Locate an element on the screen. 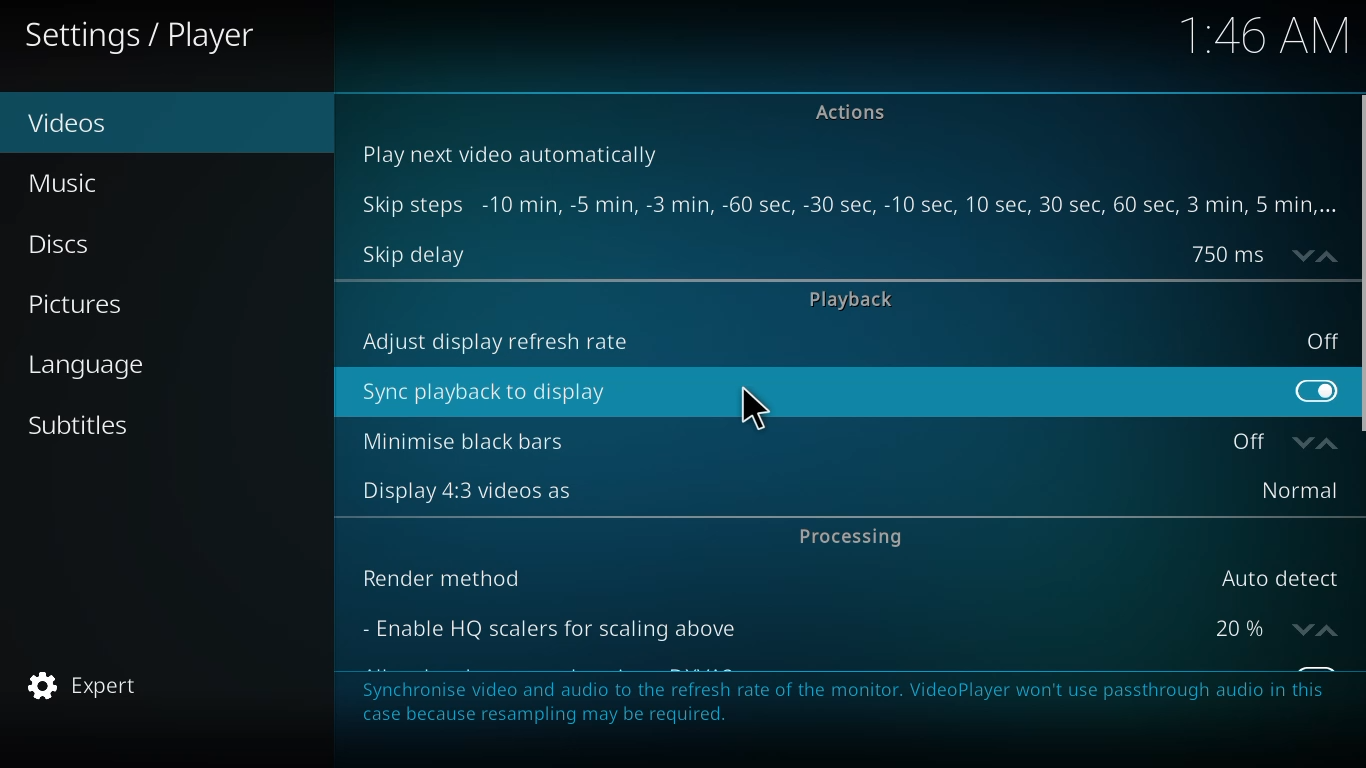  playback is located at coordinates (851, 296).